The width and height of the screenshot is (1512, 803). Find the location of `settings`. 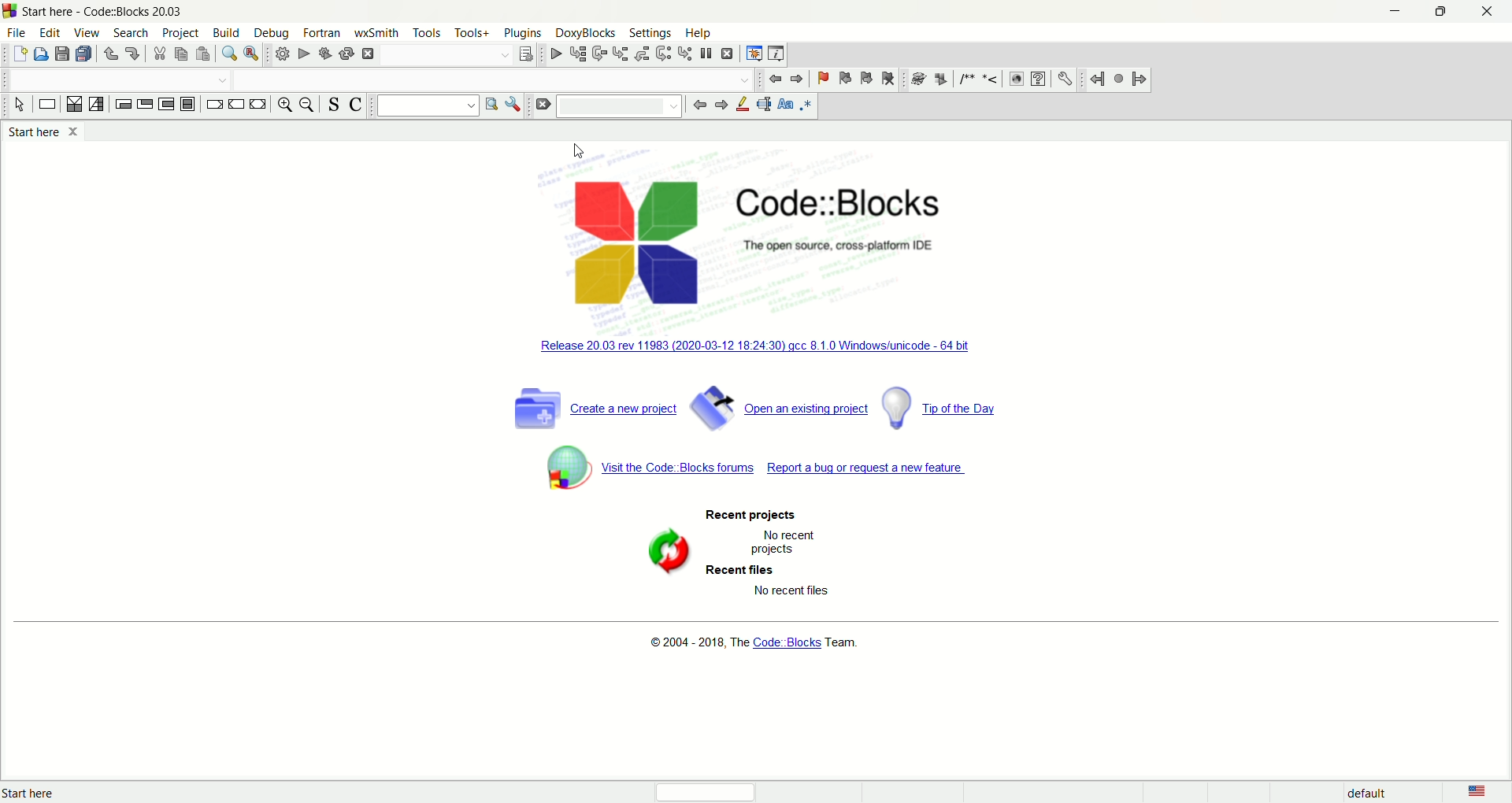

settings is located at coordinates (648, 32).